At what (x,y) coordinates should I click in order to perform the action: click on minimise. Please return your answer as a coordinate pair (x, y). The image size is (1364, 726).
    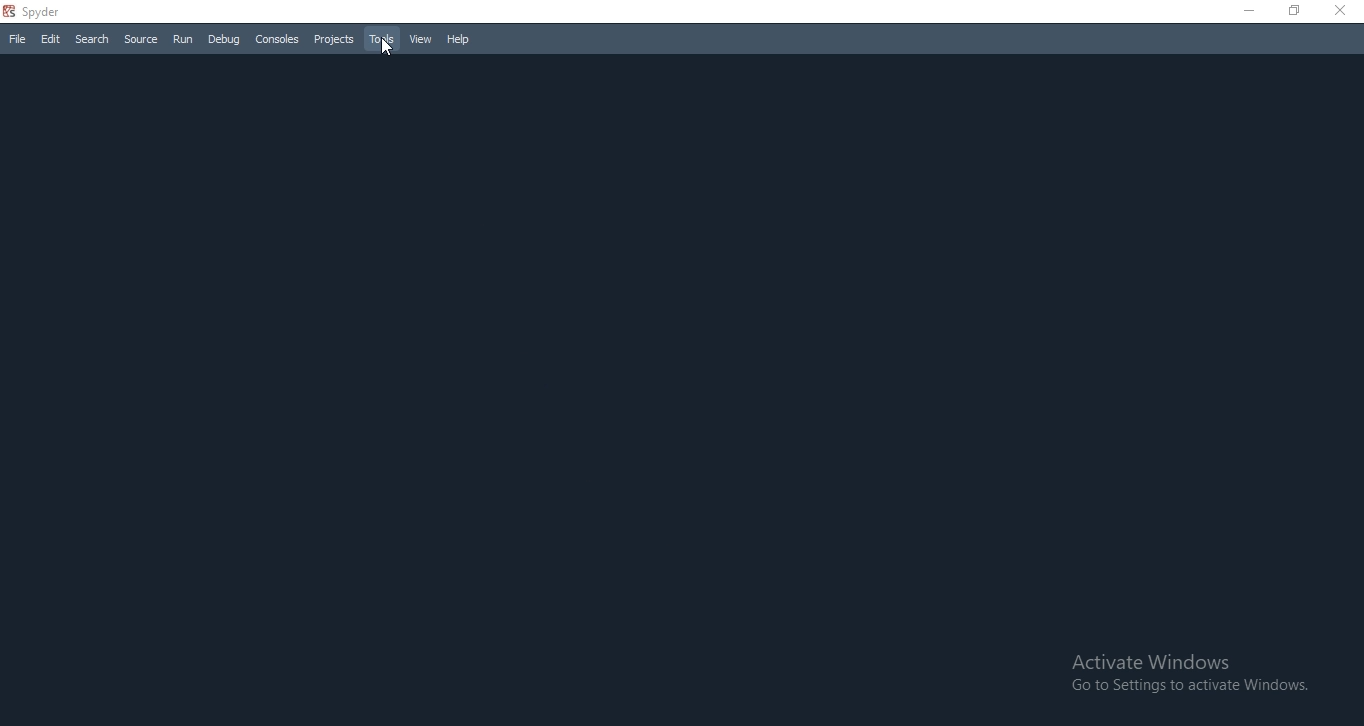
    Looking at the image, I should click on (1247, 12).